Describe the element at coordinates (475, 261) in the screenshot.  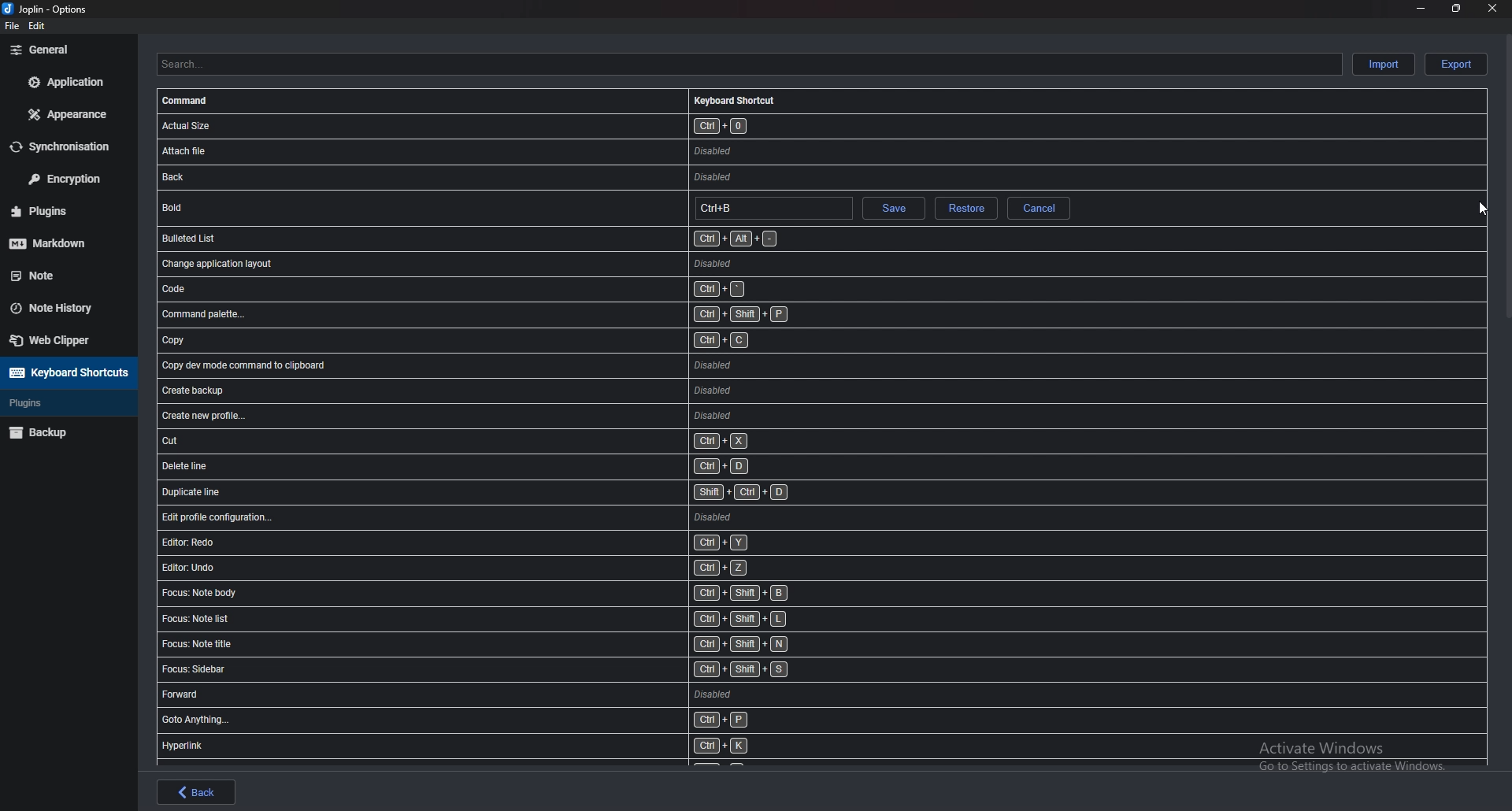
I see `shortcut` at that location.